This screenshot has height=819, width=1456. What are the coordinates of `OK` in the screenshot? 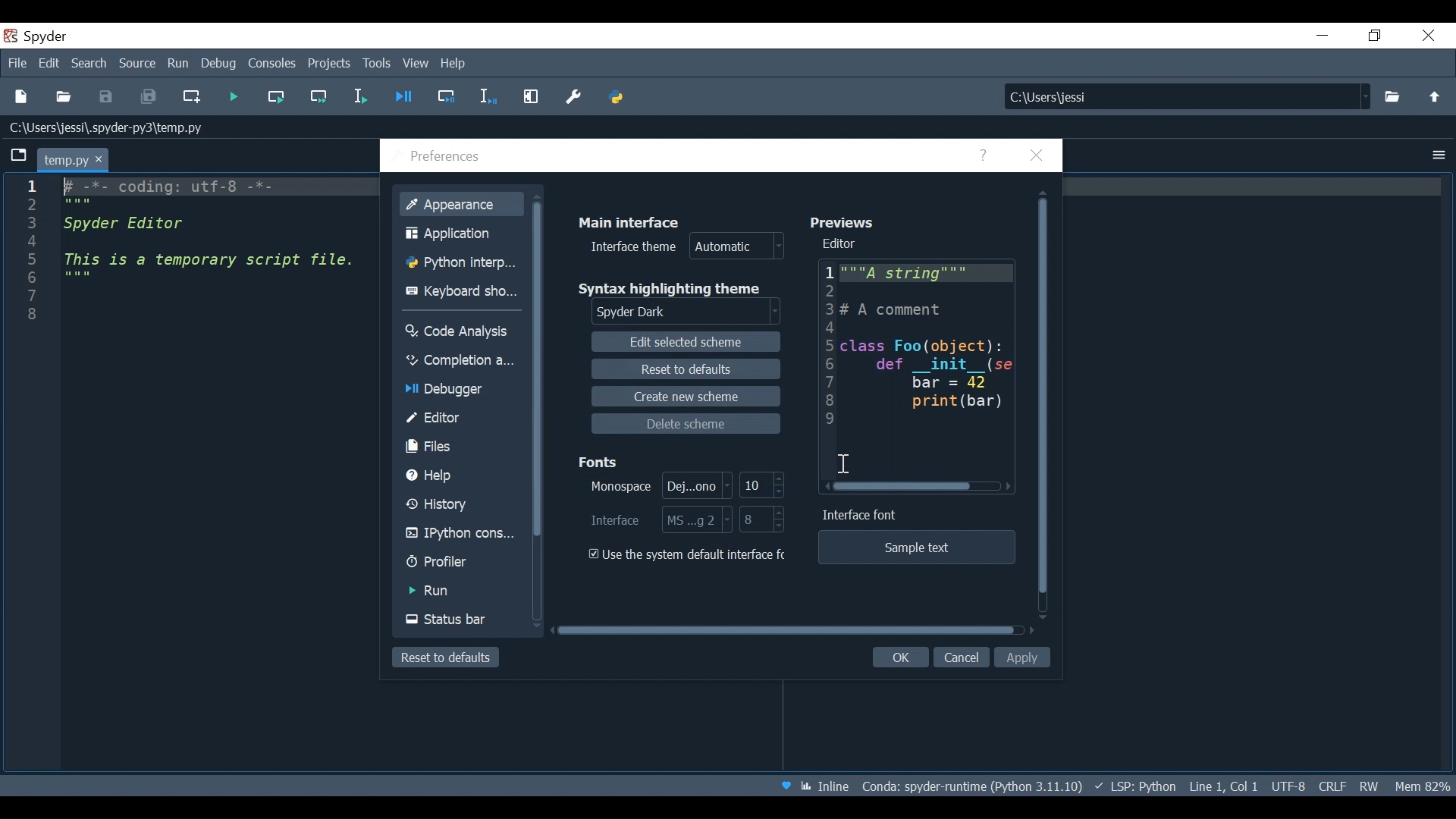 It's located at (900, 657).